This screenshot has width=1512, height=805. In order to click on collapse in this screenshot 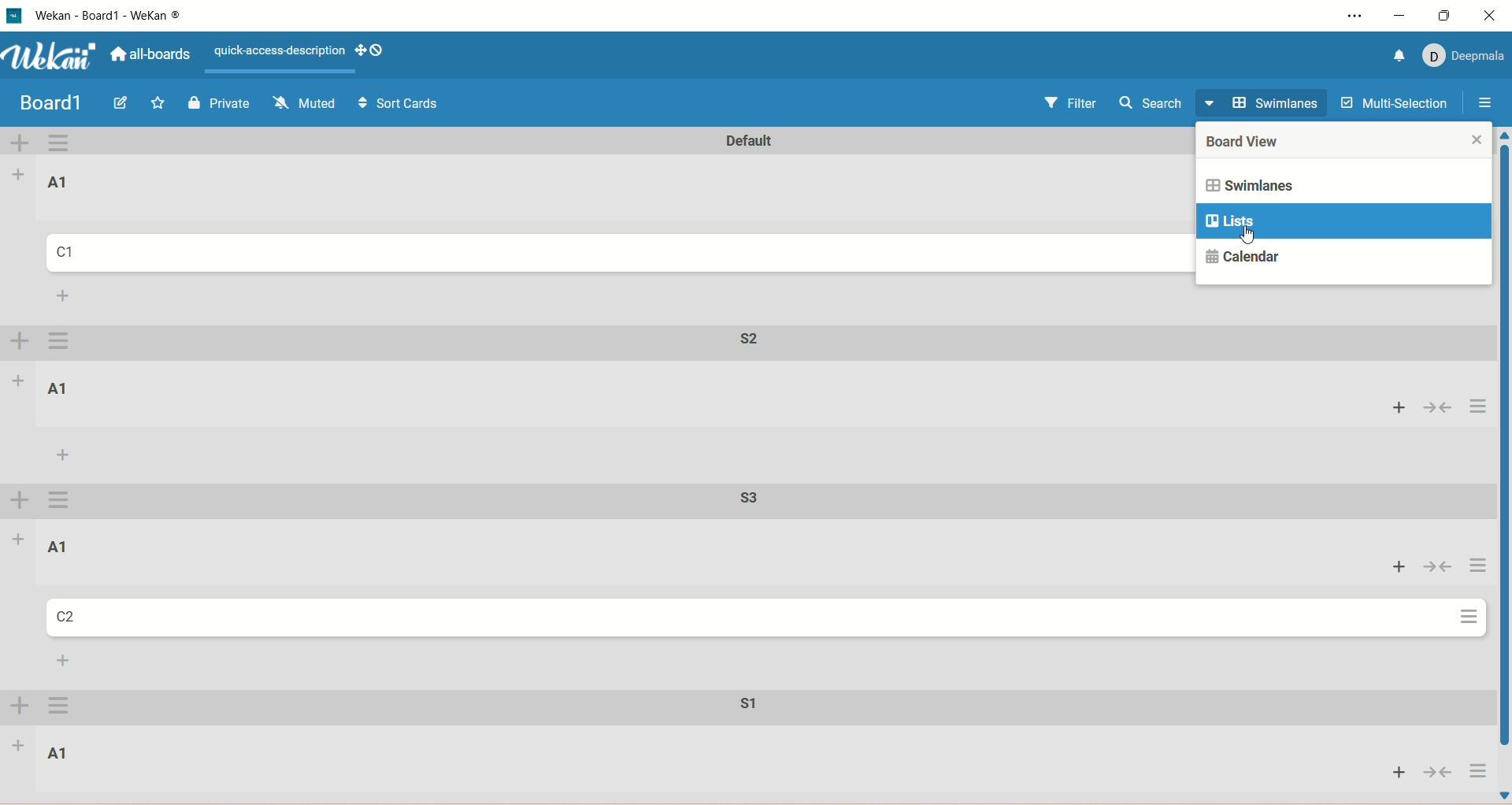, I will do `click(1441, 406)`.